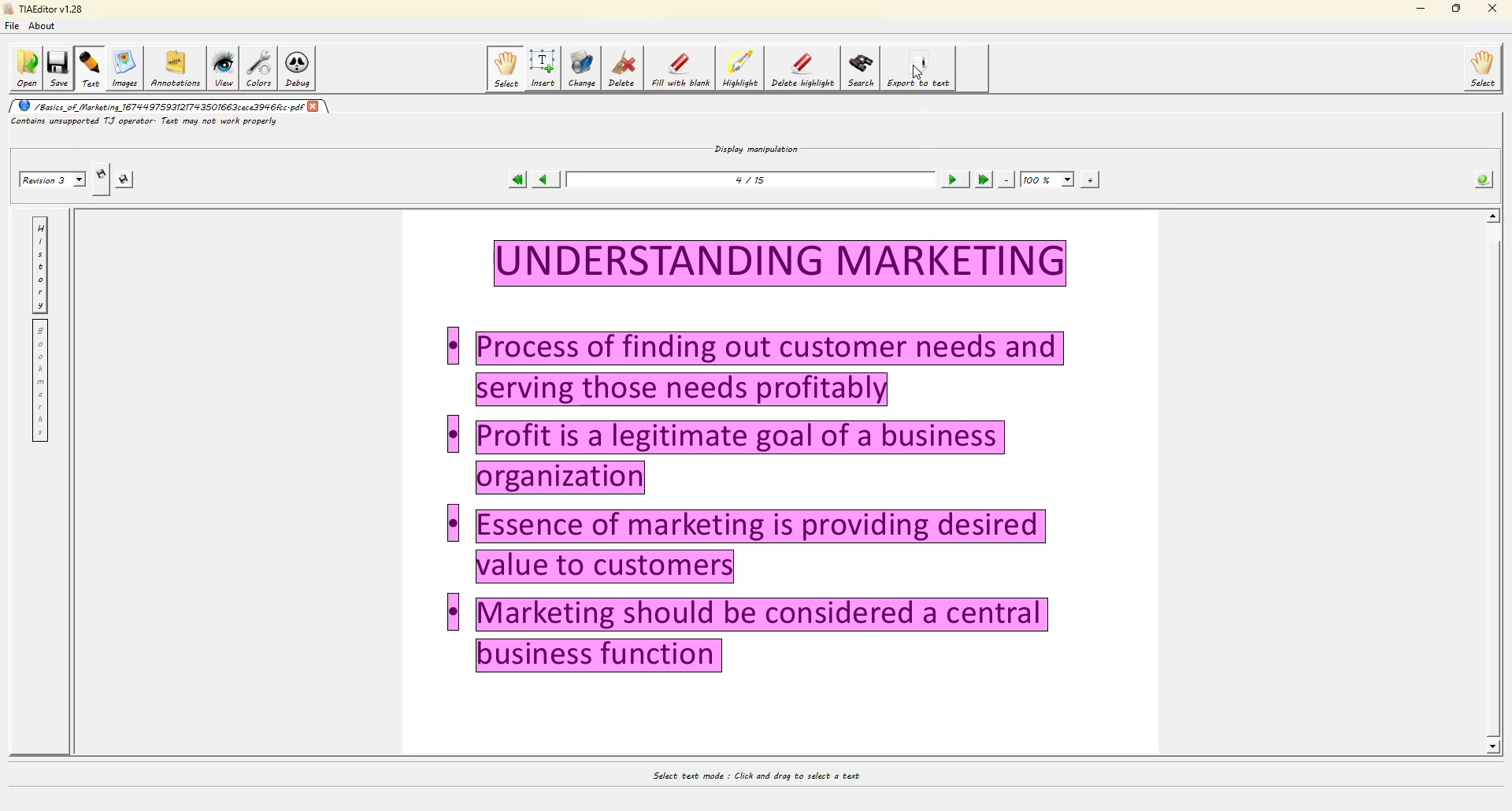 Image resolution: width=1512 pixels, height=811 pixels. What do you see at coordinates (1491, 487) in the screenshot?
I see `` at bounding box center [1491, 487].